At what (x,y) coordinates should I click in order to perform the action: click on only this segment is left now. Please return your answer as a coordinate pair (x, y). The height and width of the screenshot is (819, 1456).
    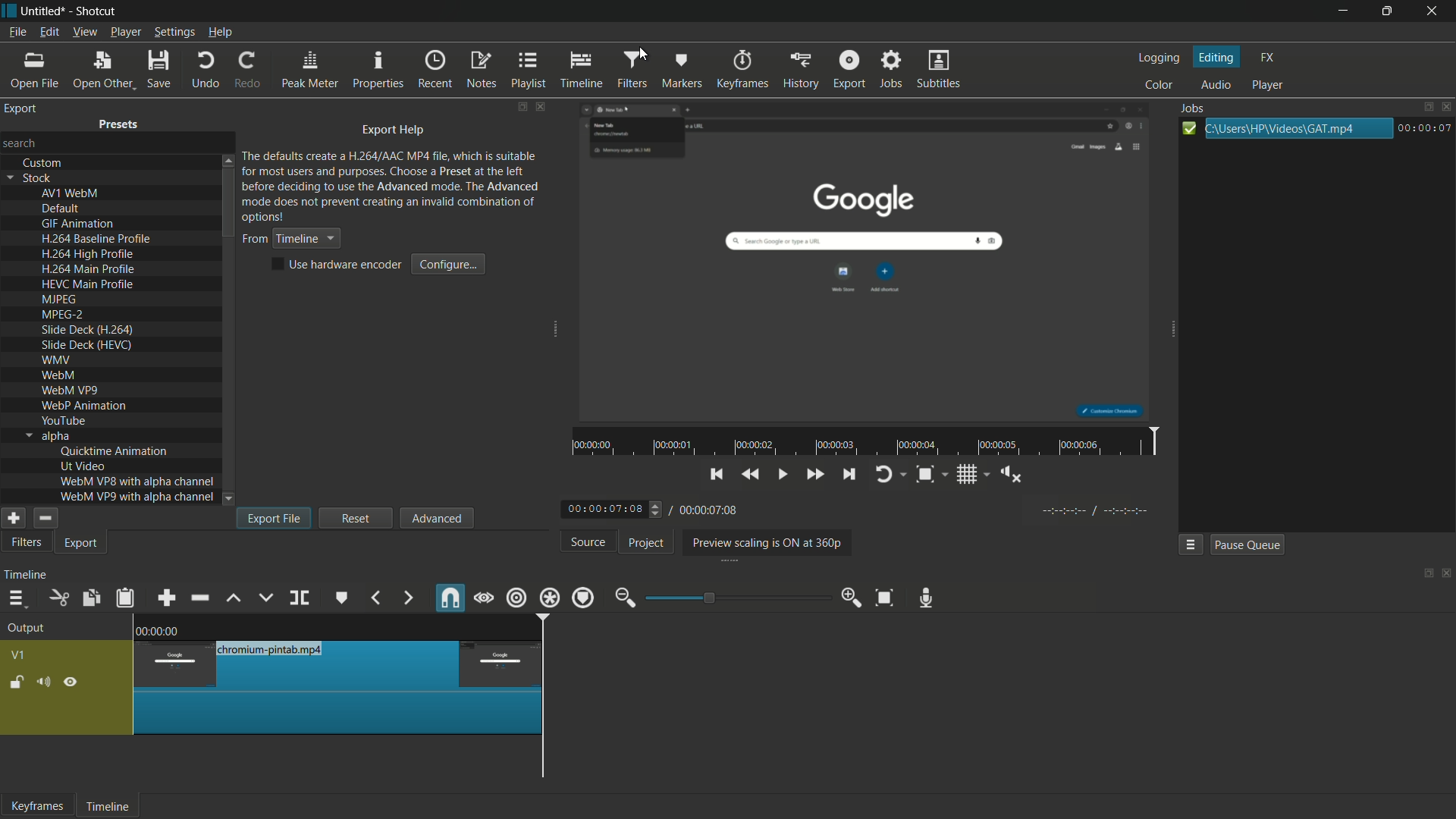
    Looking at the image, I should click on (339, 687).